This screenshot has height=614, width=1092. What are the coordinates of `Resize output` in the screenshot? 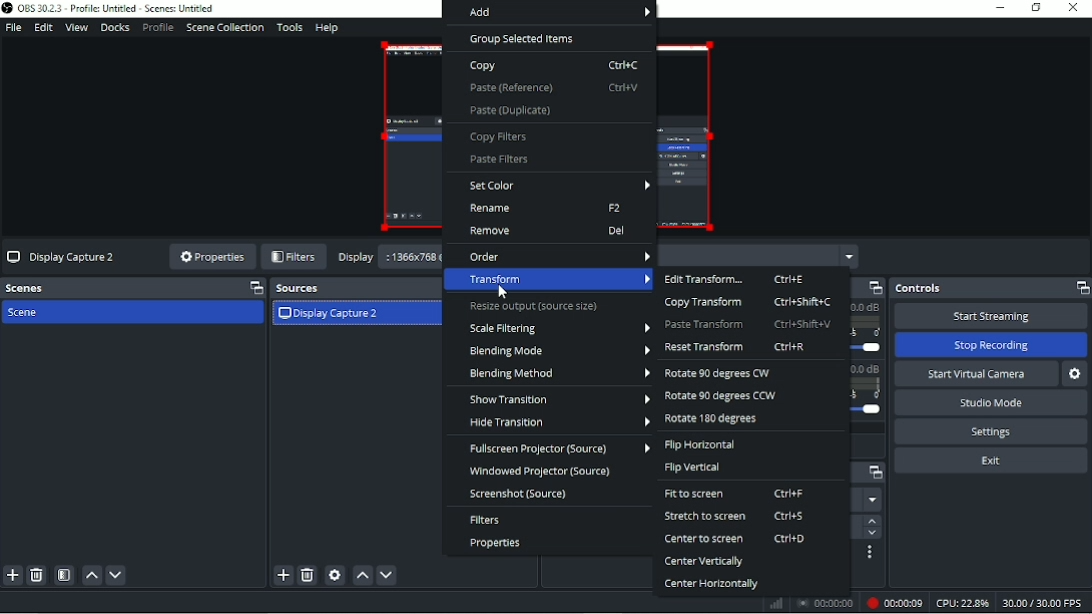 It's located at (535, 307).